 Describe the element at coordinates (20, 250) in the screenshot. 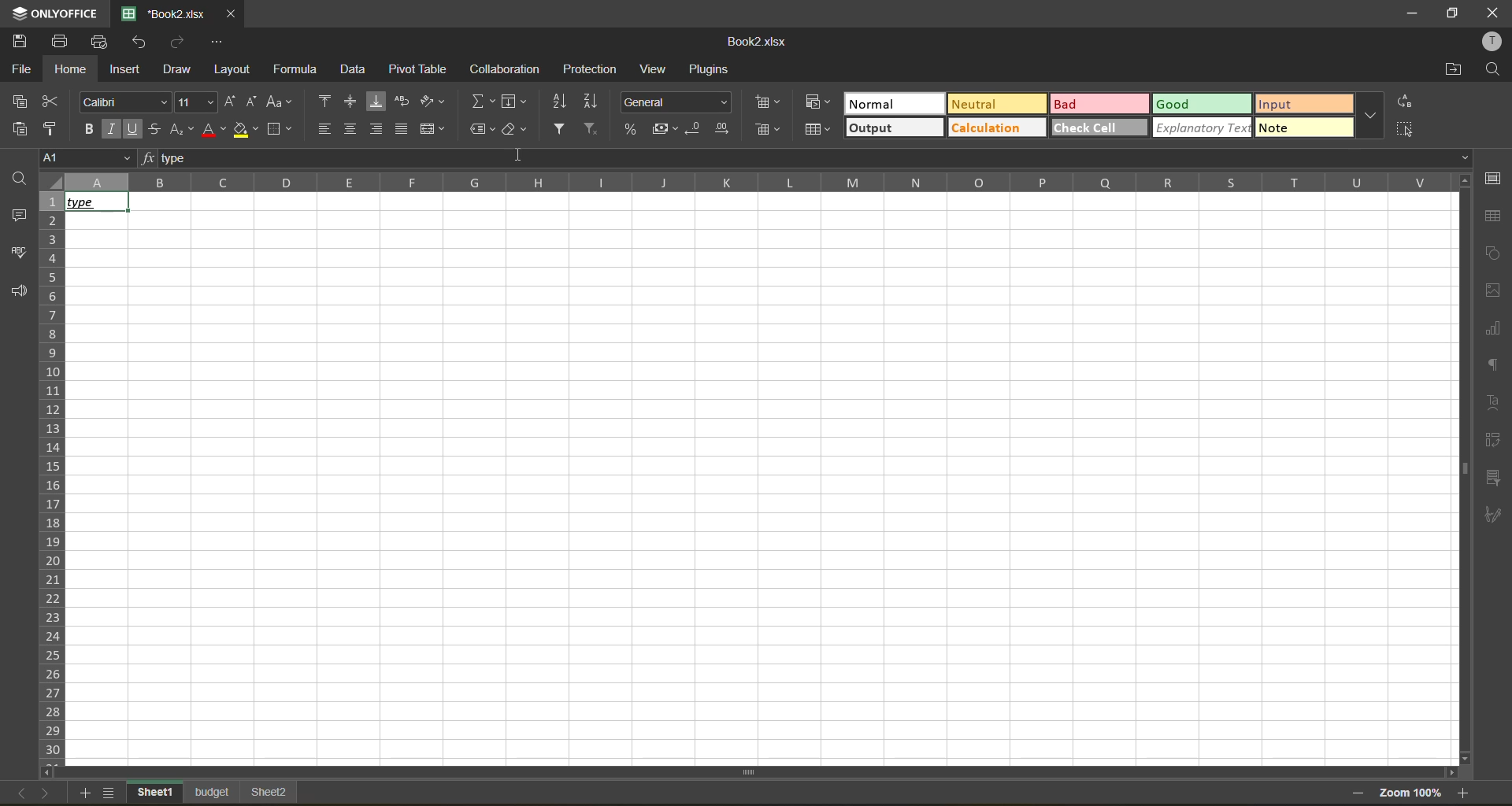

I see `spellcheck` at that location.